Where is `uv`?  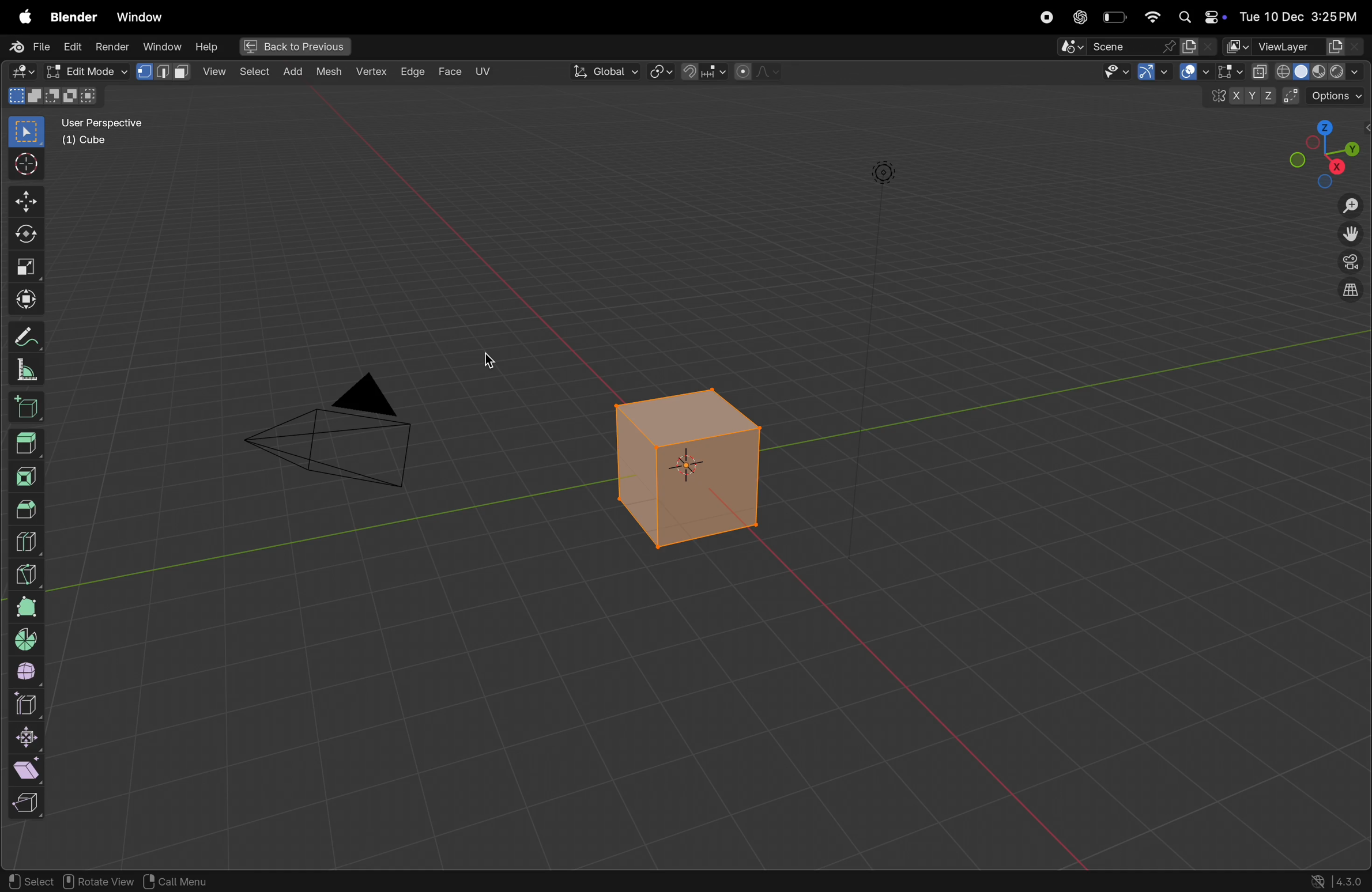 uv is located at coordinates (483, 71).